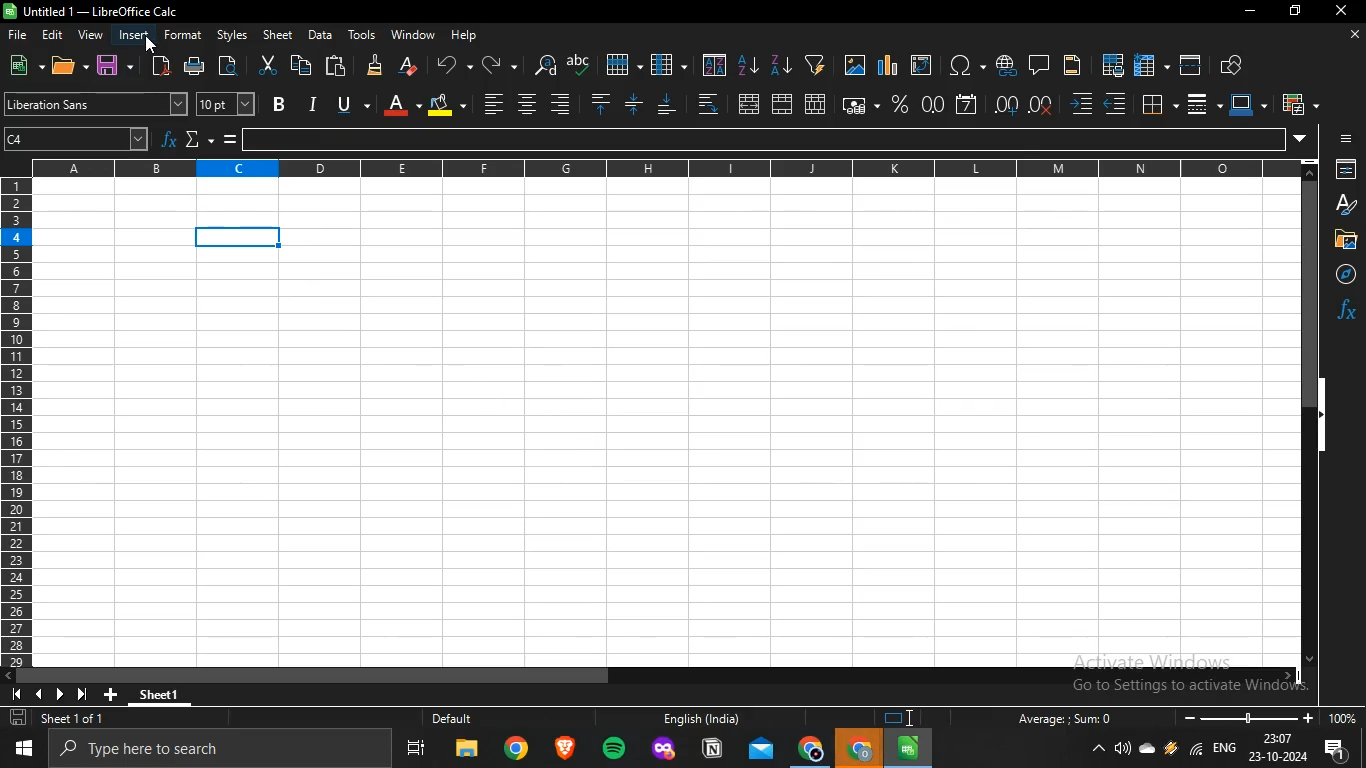 Image resolution: width=1366 pixels, height=768 pixels. I want to click on sort, so click(715, 65).